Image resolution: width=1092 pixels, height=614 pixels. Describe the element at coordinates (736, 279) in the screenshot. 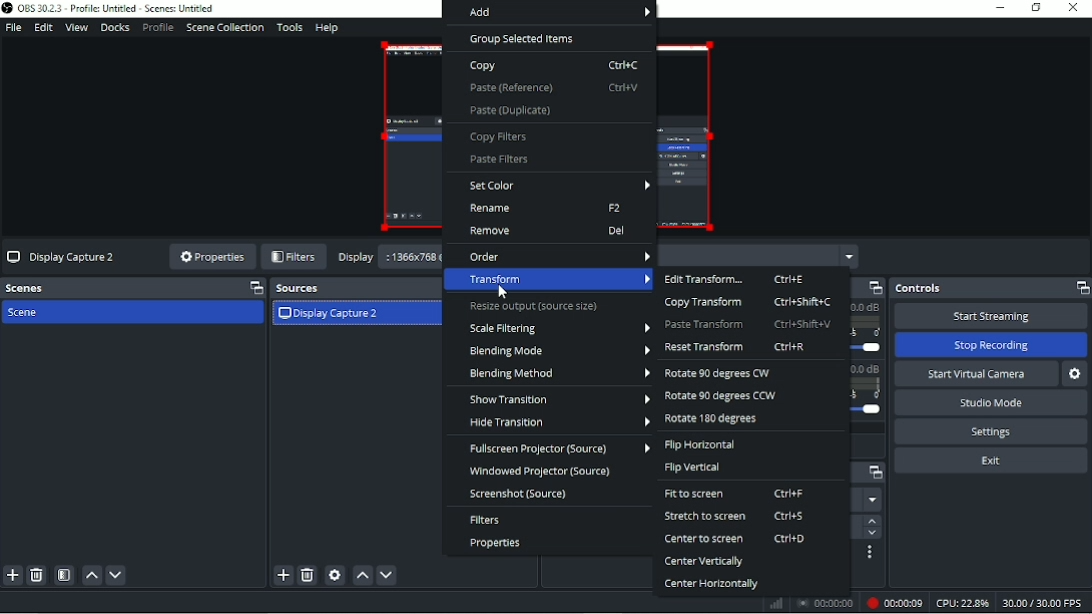

I see `Edit transform` at that location.